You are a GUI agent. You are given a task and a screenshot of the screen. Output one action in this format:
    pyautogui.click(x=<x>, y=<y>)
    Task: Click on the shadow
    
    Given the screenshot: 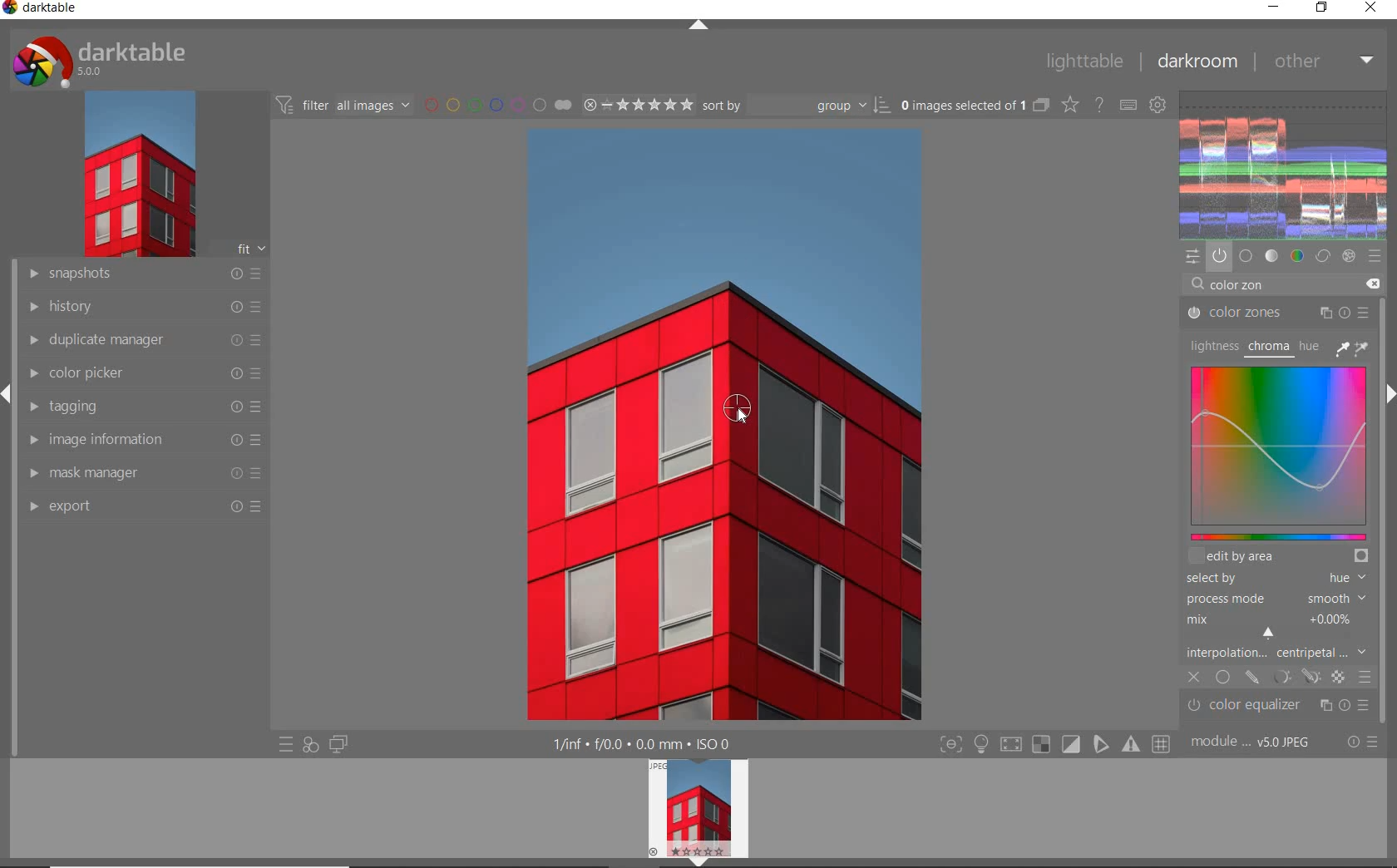 What is the action you would take?
    pyautogui.click(x=1009, y=745)
    